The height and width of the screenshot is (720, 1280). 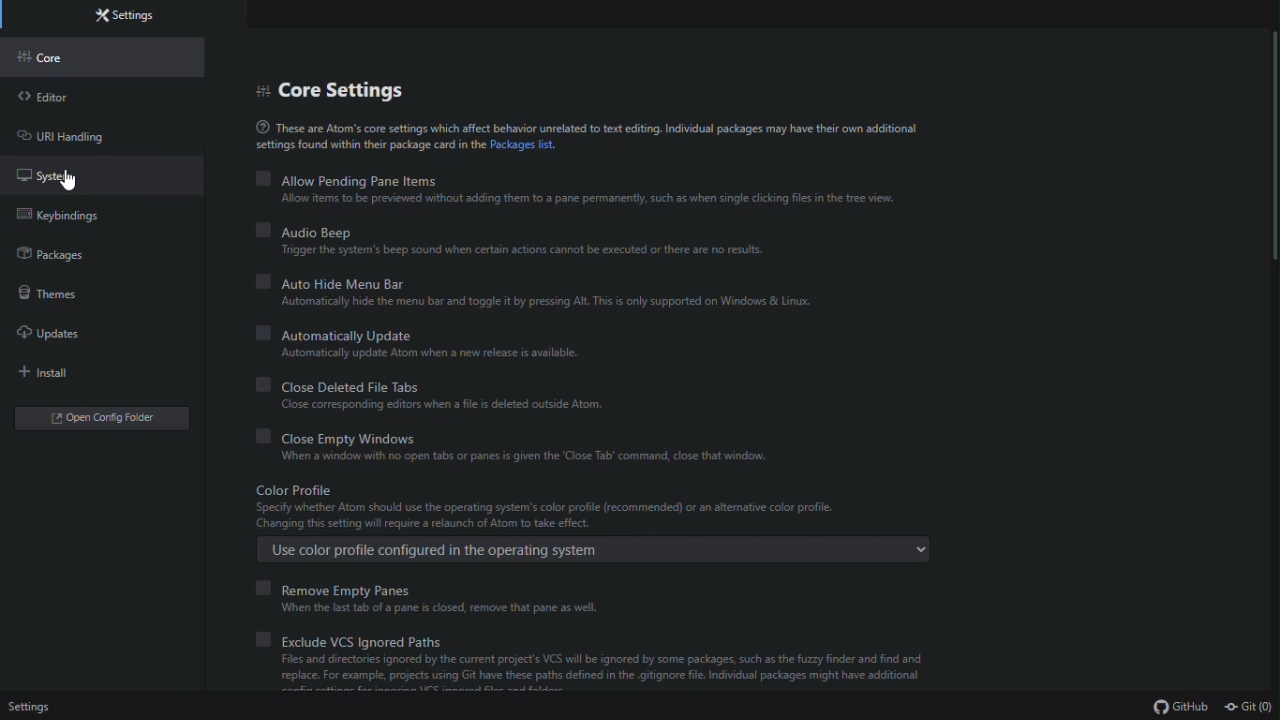 What do you see at coordinates (64, 294) in the screenshot?
I see `Themes` at bounding box center [64, 294].